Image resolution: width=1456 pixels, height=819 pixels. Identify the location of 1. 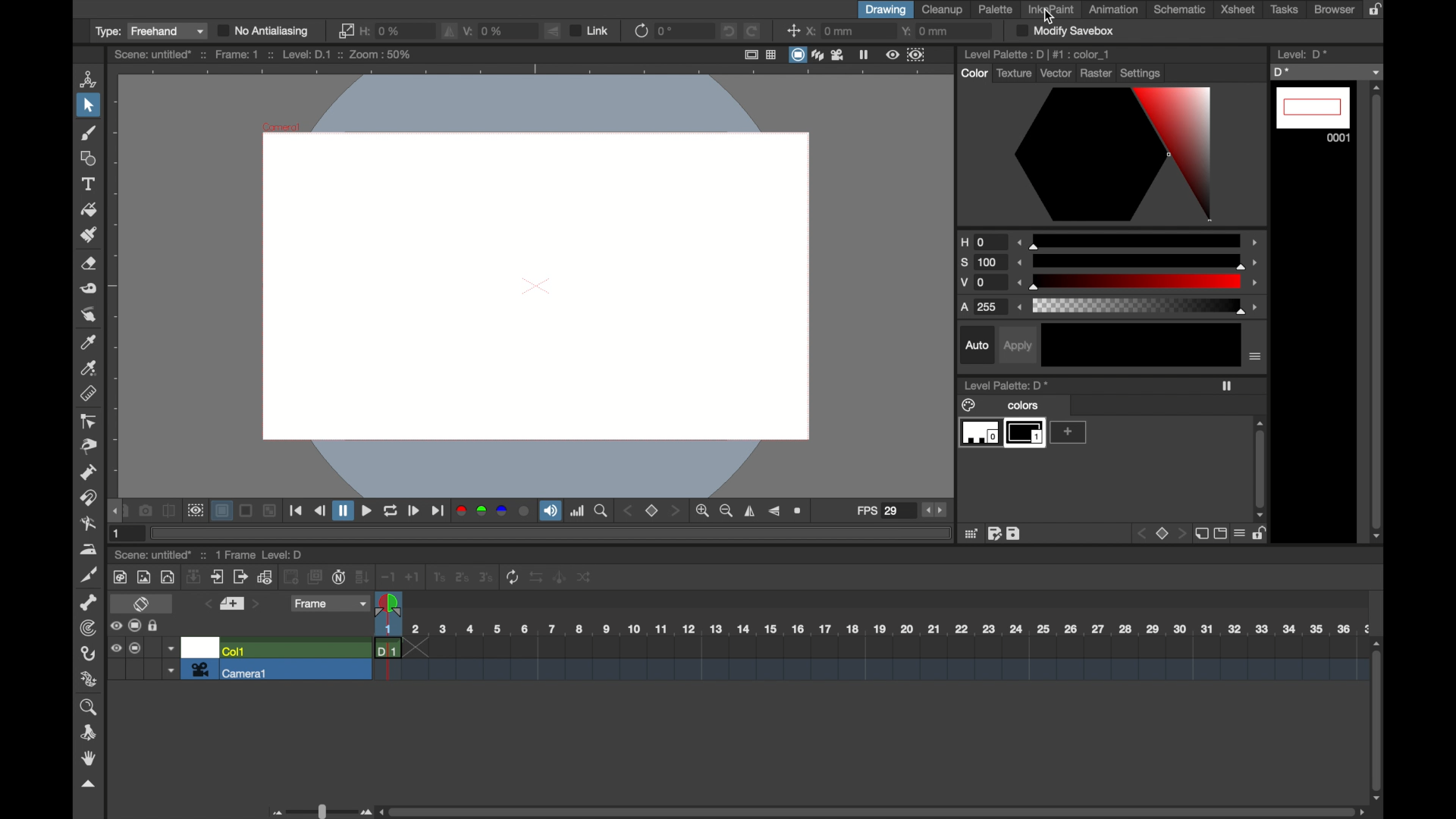
(438, 578).